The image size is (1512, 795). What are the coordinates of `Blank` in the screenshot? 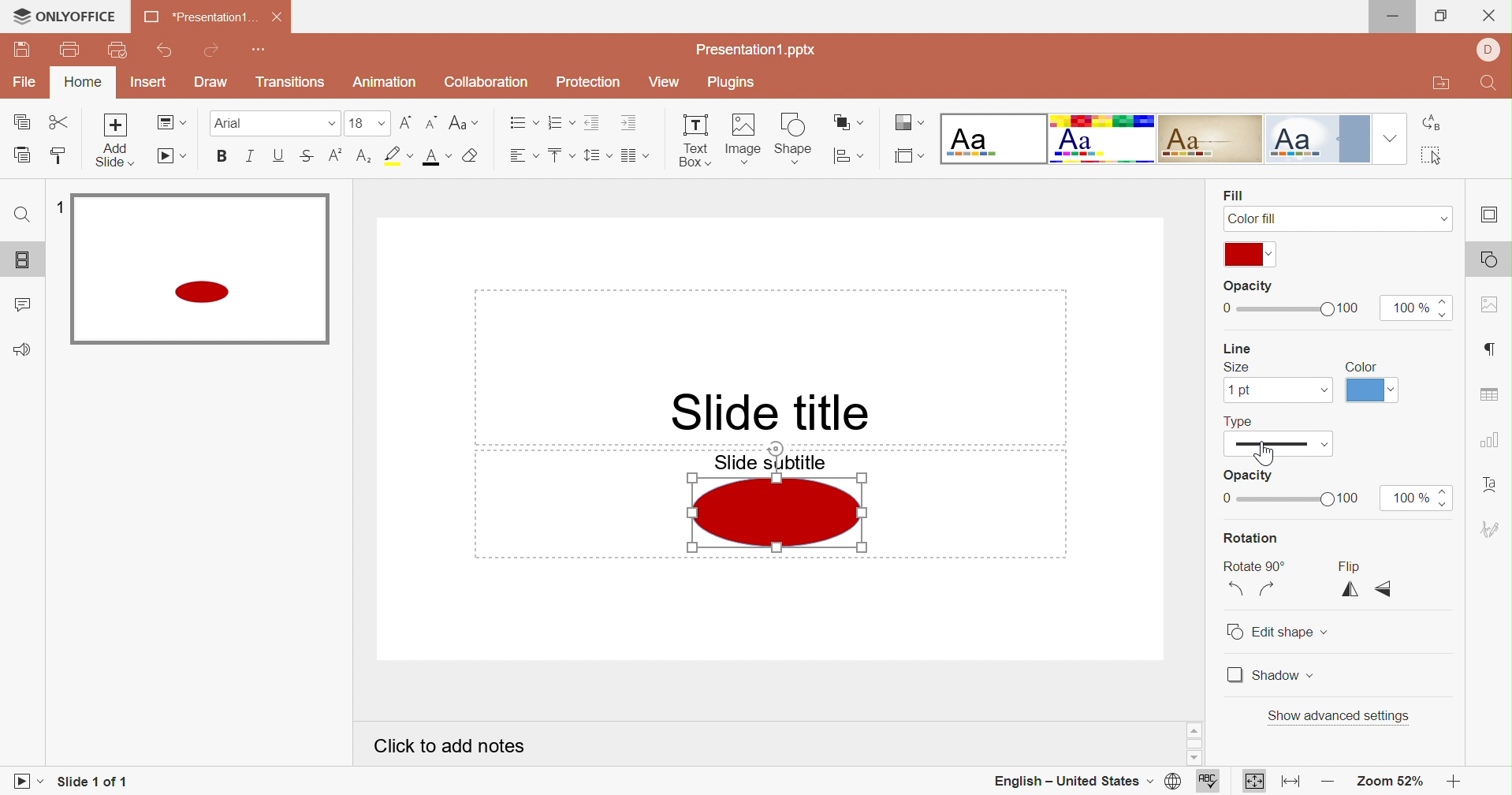 It's located at (992, 138).